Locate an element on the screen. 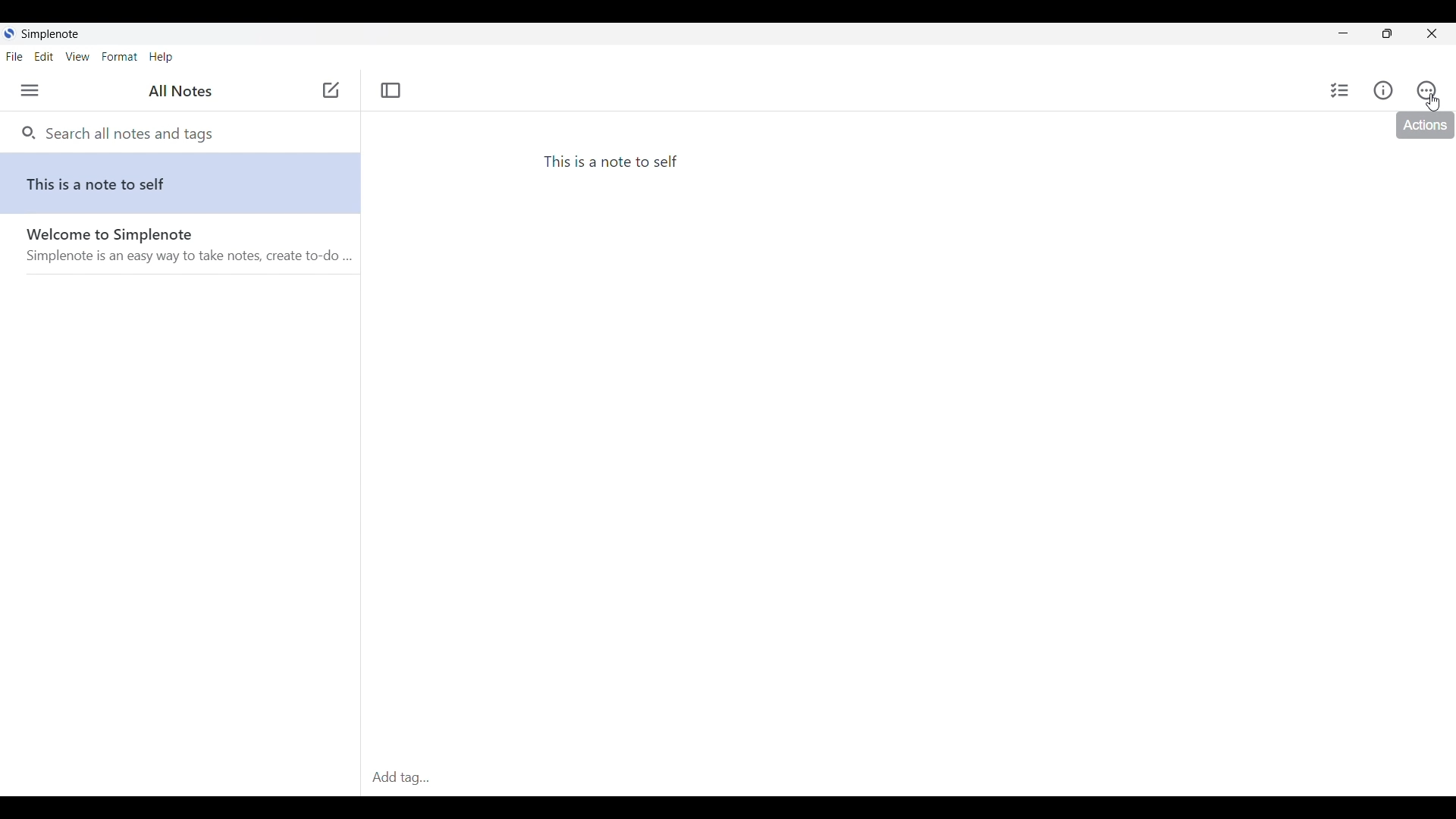  Format is located at coordinates (121, 57).